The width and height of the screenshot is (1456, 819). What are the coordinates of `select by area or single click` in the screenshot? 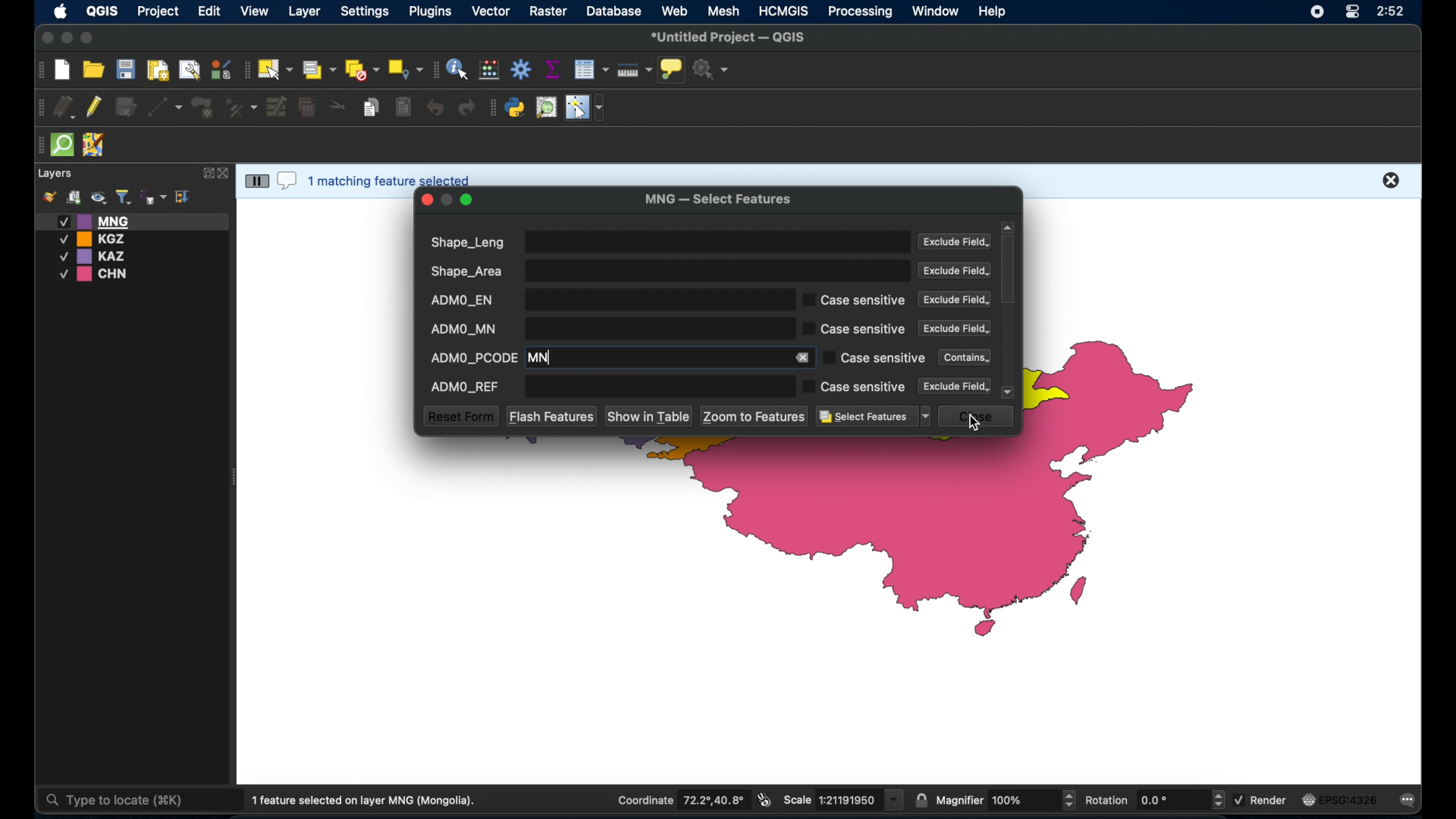 It's located at (316, 68).